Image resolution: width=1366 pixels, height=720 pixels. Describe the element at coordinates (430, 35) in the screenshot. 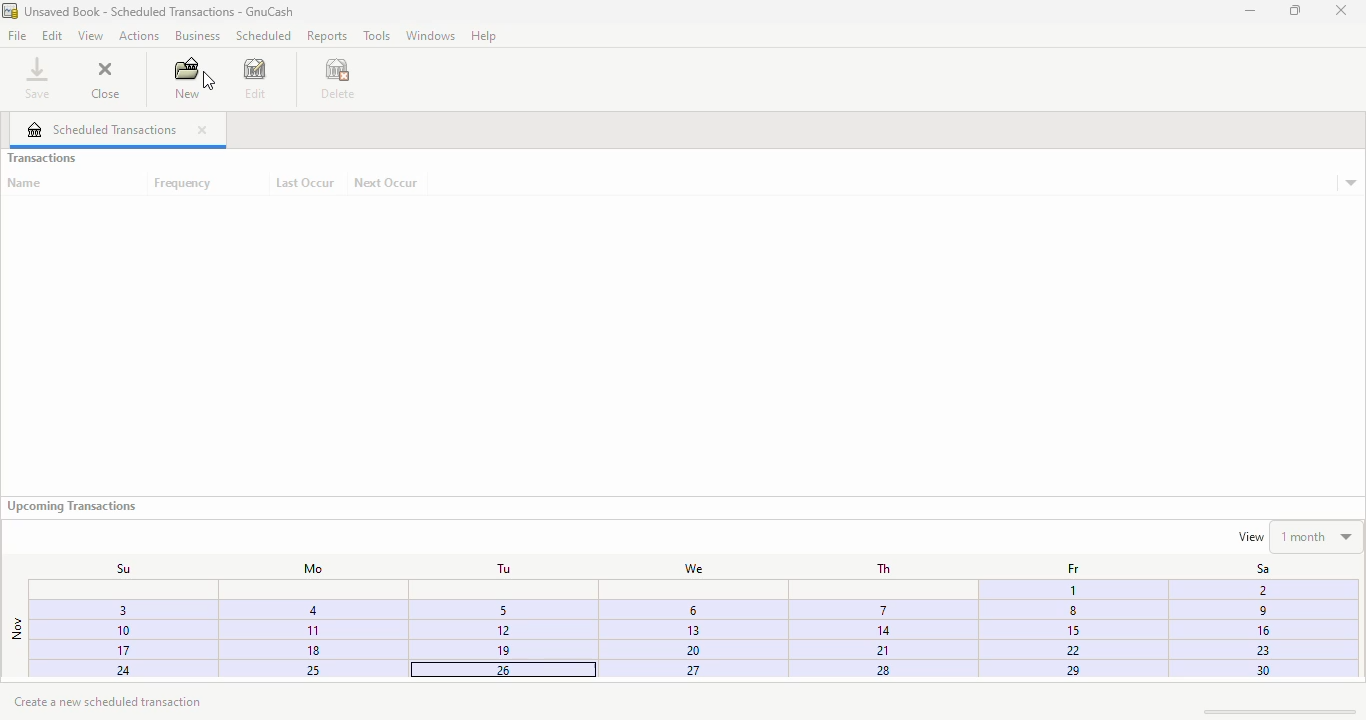

I see `windows` at that location.